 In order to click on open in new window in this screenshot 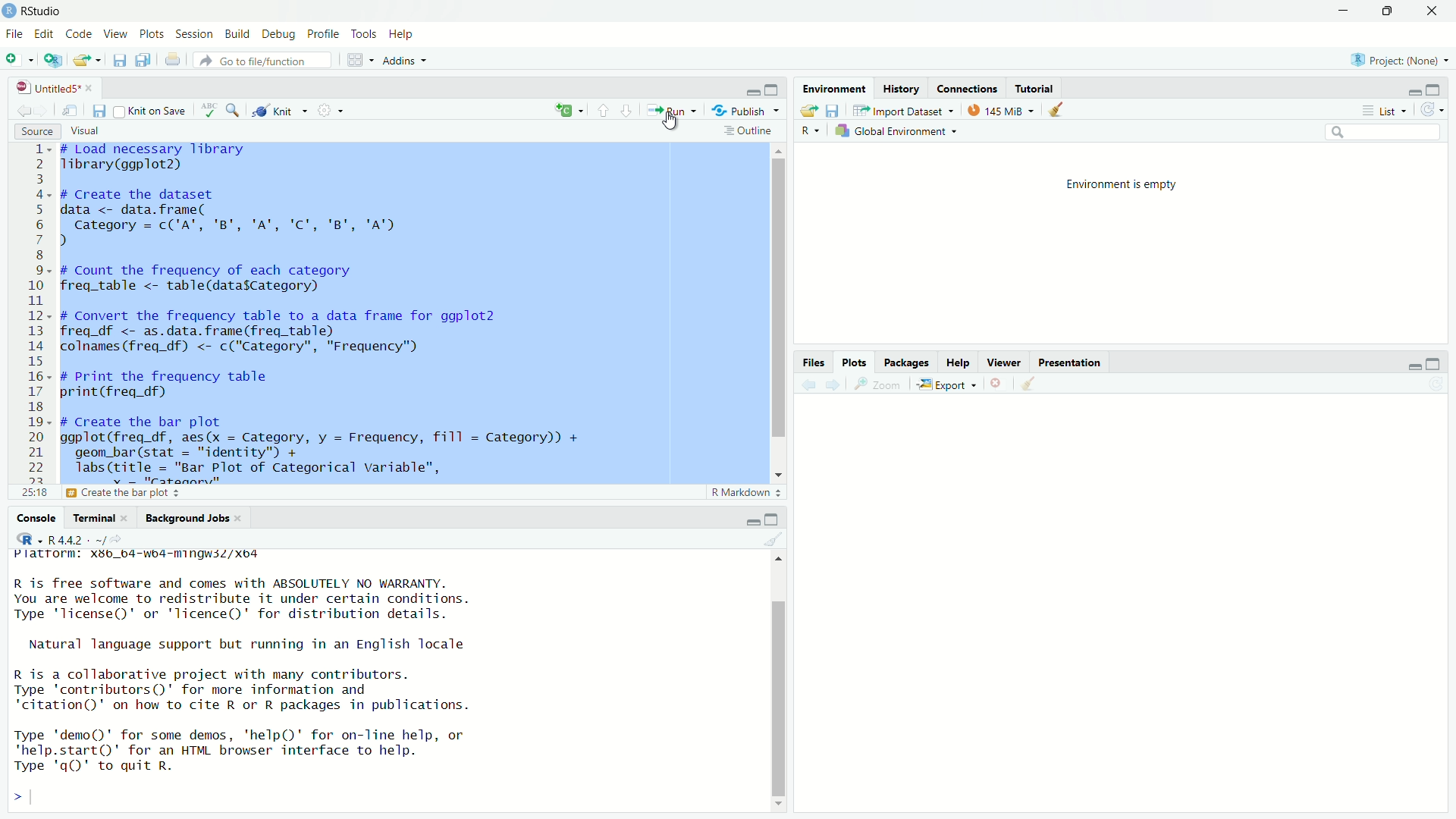, I will do `click(69, 111)`.